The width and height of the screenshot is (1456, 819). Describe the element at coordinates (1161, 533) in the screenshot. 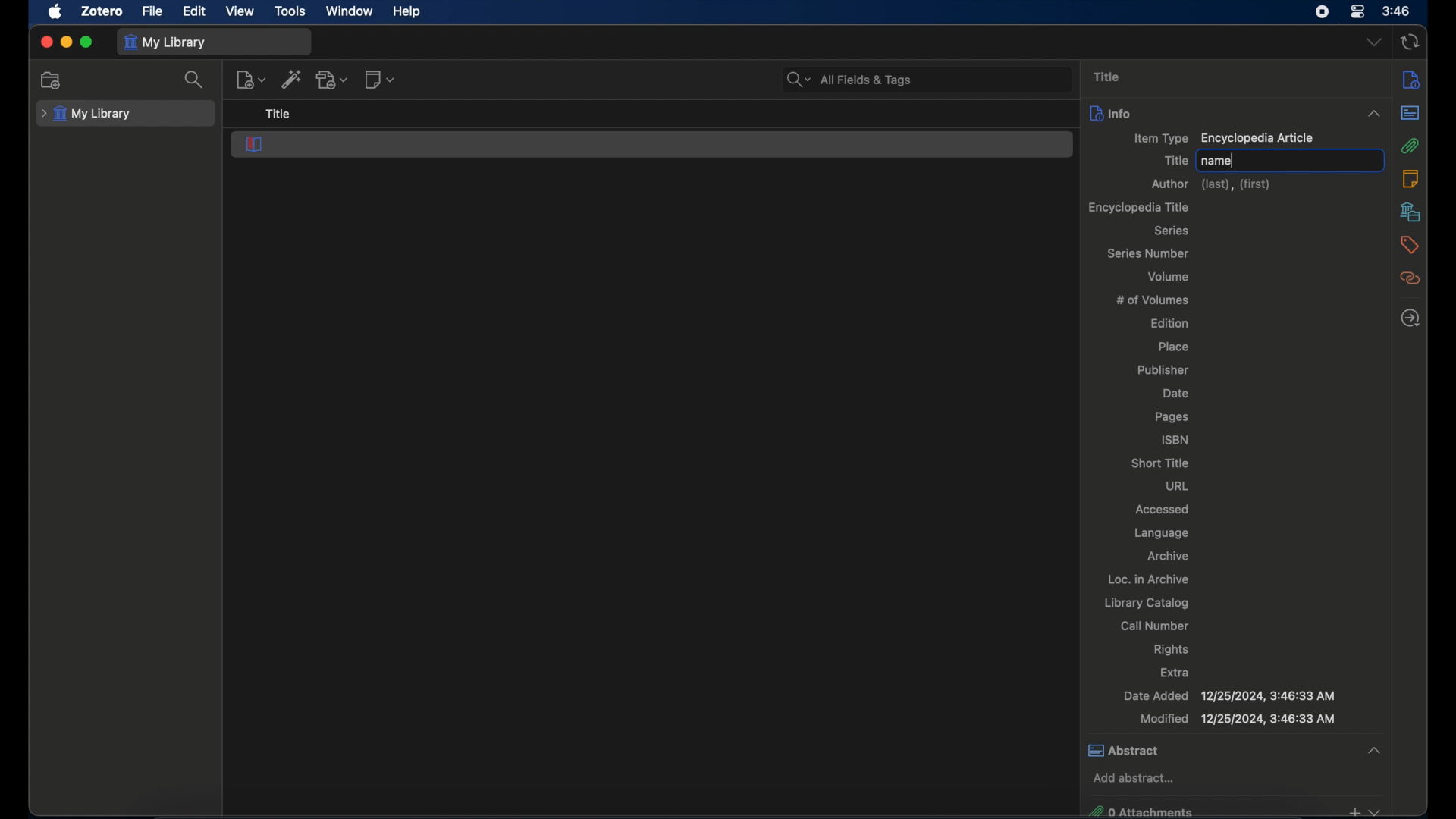

I see `language` at that location.